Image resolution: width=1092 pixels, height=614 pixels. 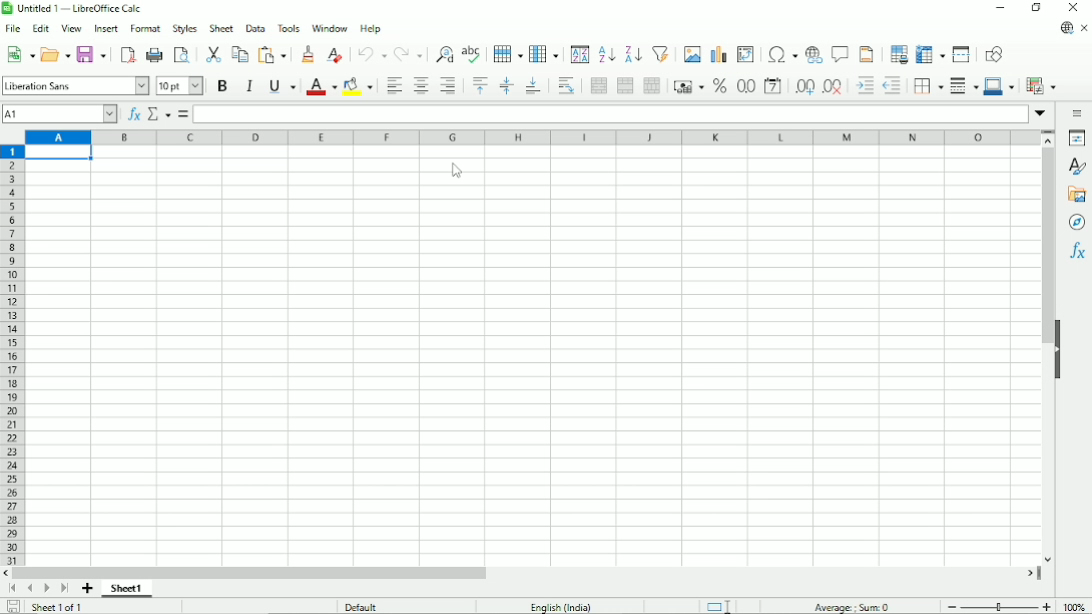 What do you see at coordinates (1077, 607) in the screenshot?
I see `Zoom factor` at bounding box center [1077, 607].